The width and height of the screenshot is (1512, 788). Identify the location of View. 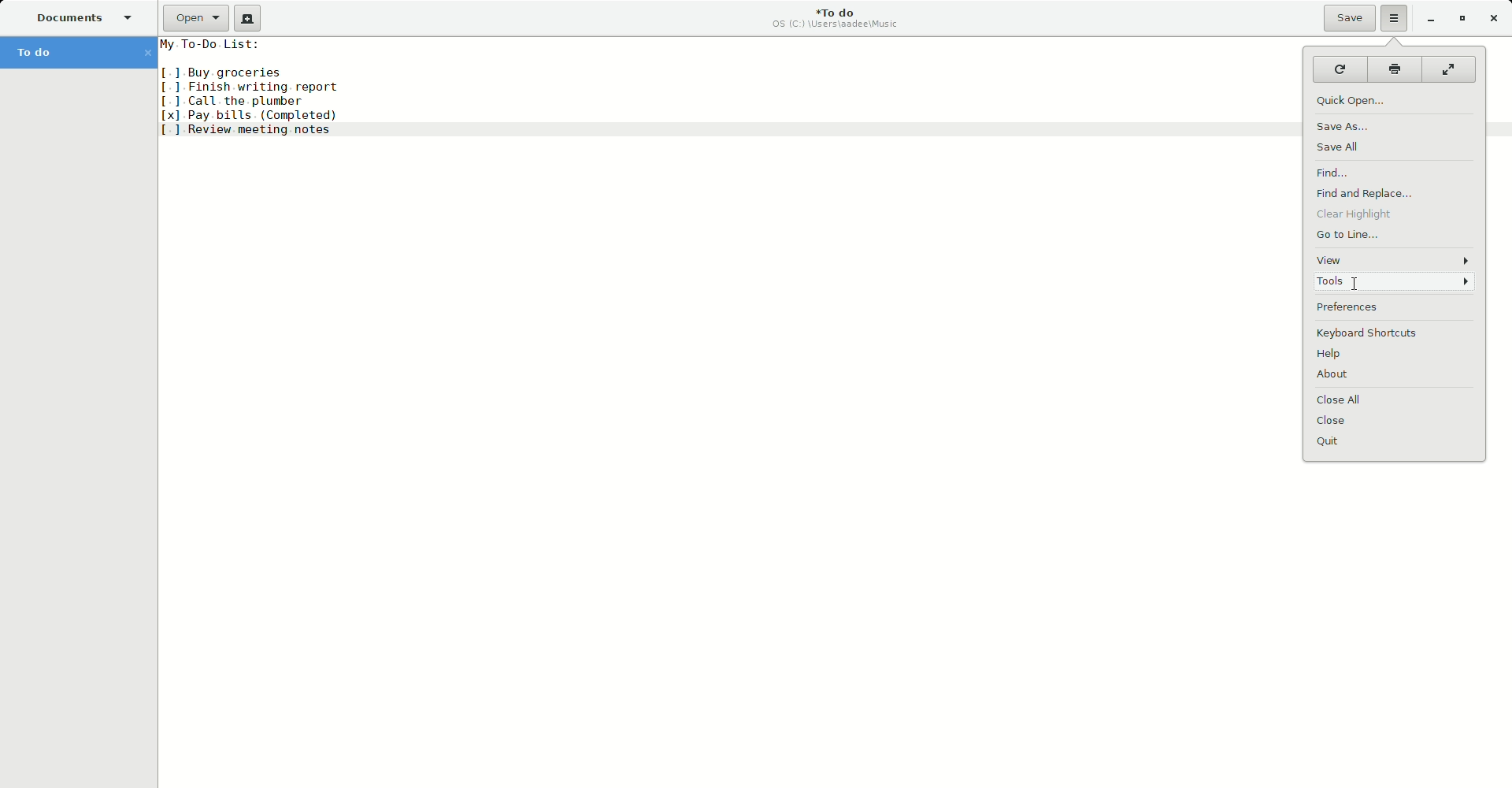
(1394, 260).